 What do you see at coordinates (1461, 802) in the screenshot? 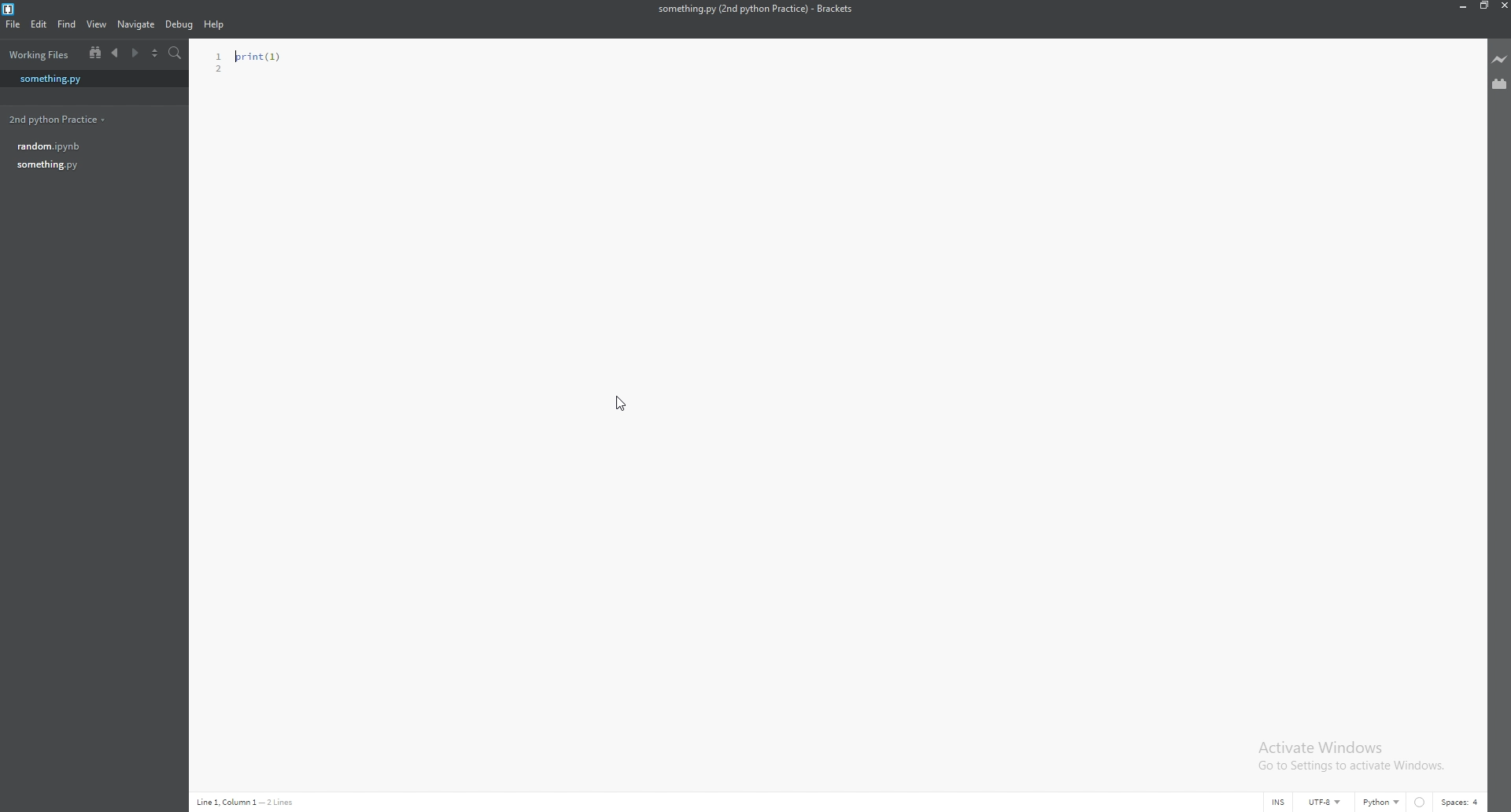
I see `spaces: 4` at bounding box center [1461, 802].